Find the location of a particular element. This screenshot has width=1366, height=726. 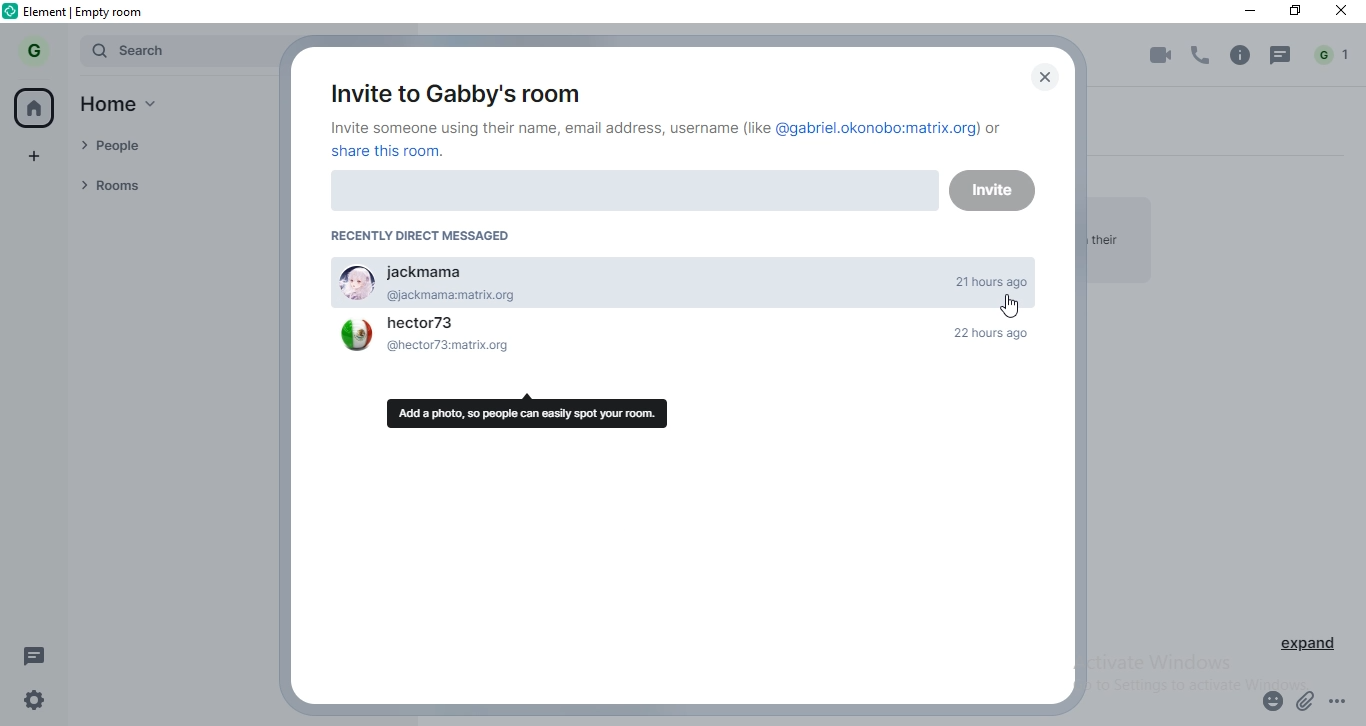

home is located at coordinates (129, 107).